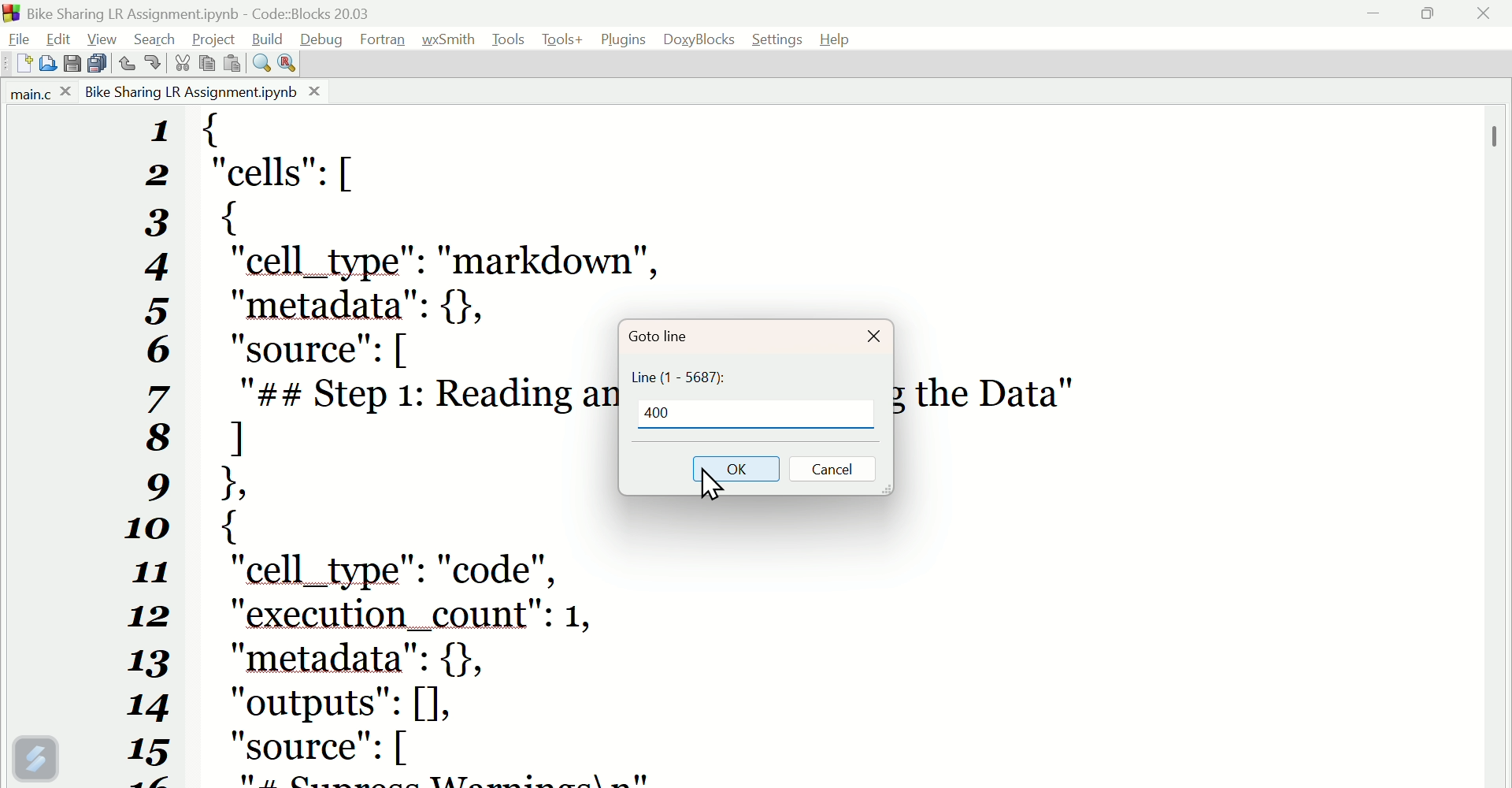  I want to click on maximise, so click(1434, 17).